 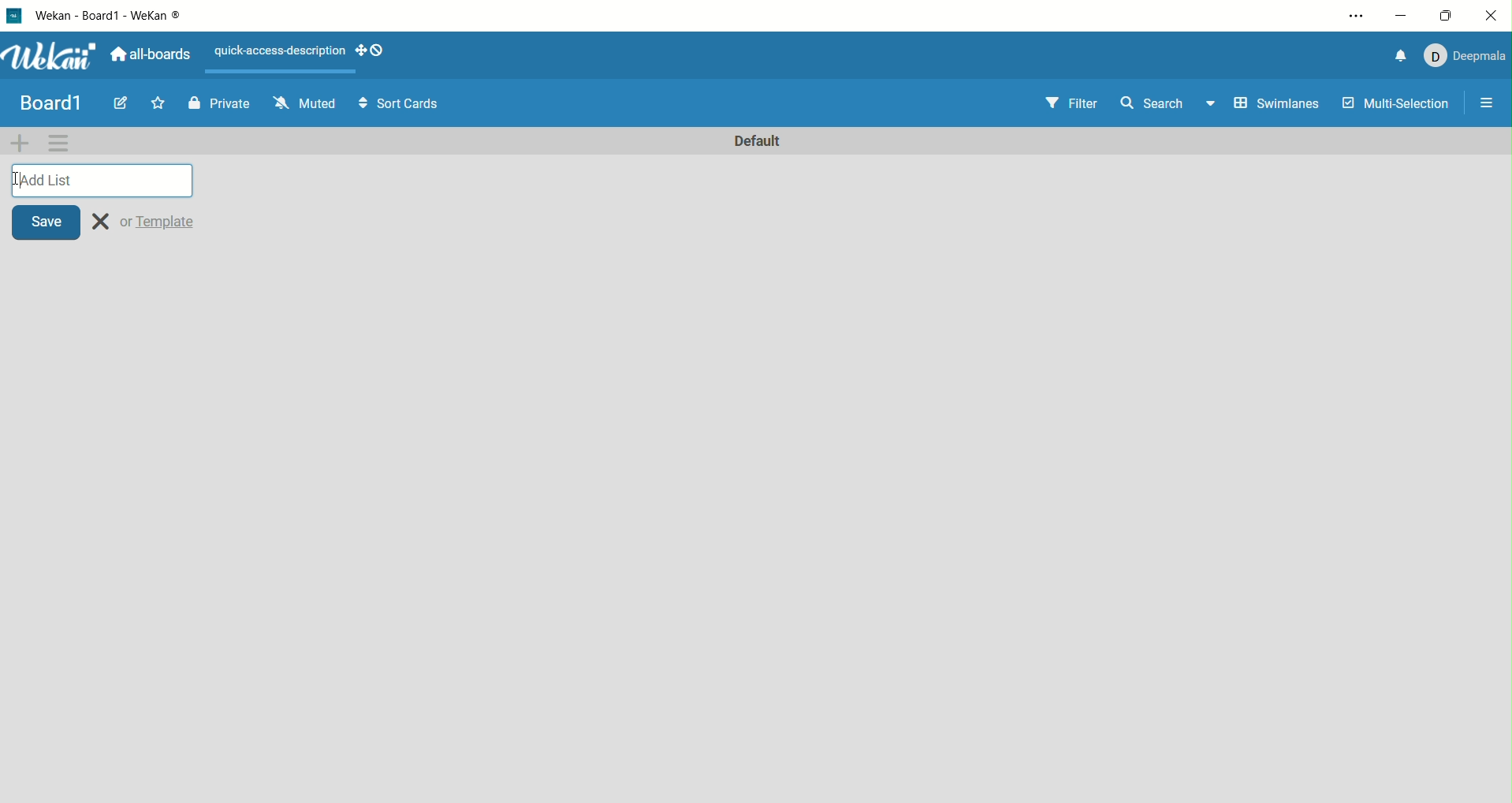 What do you see at coordinates (274, 51) in the screenshot?
I see `text` at bounding box center [274, 51].